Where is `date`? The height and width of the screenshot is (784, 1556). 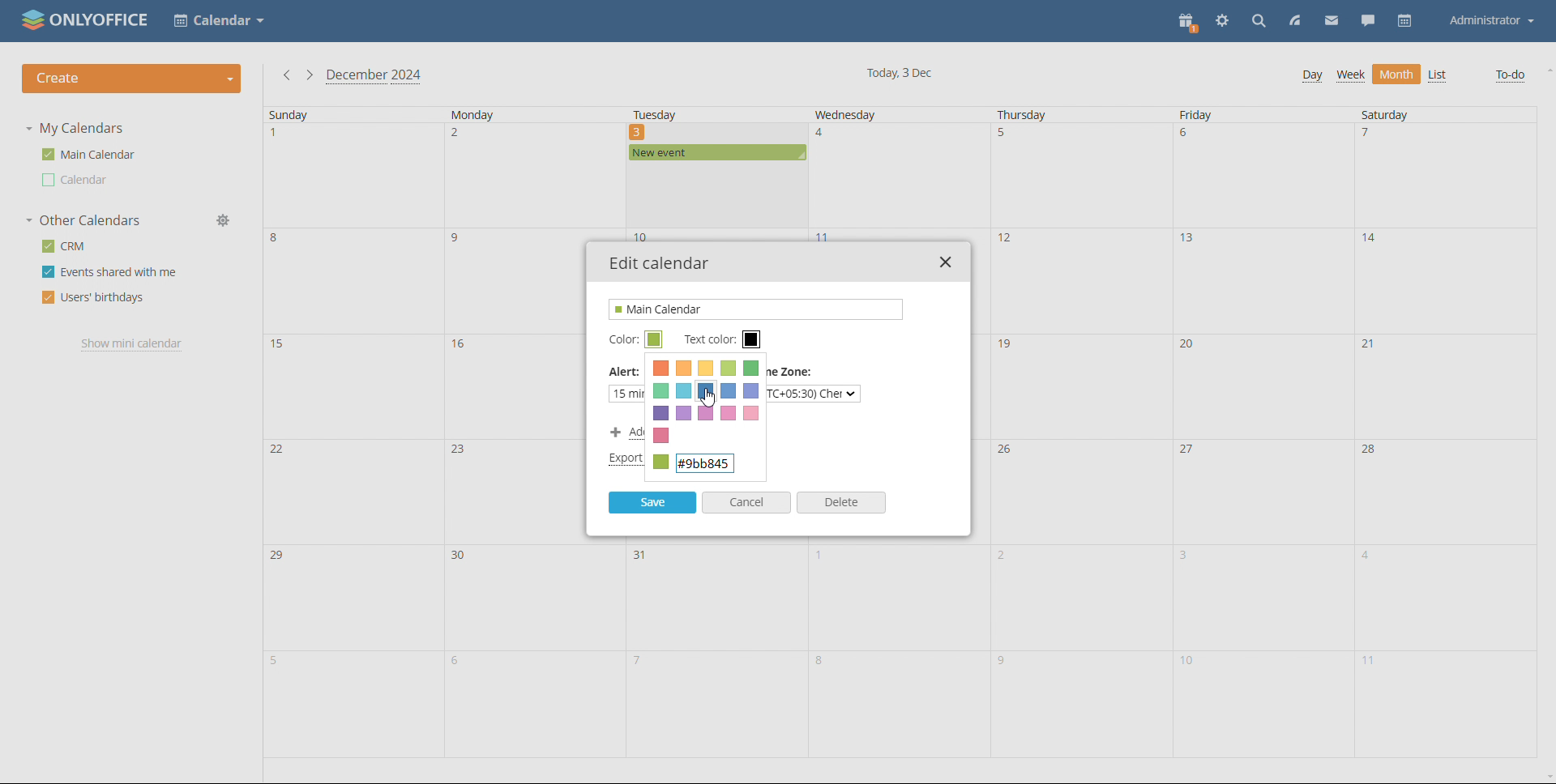 date is located at coordinates (356, 386).